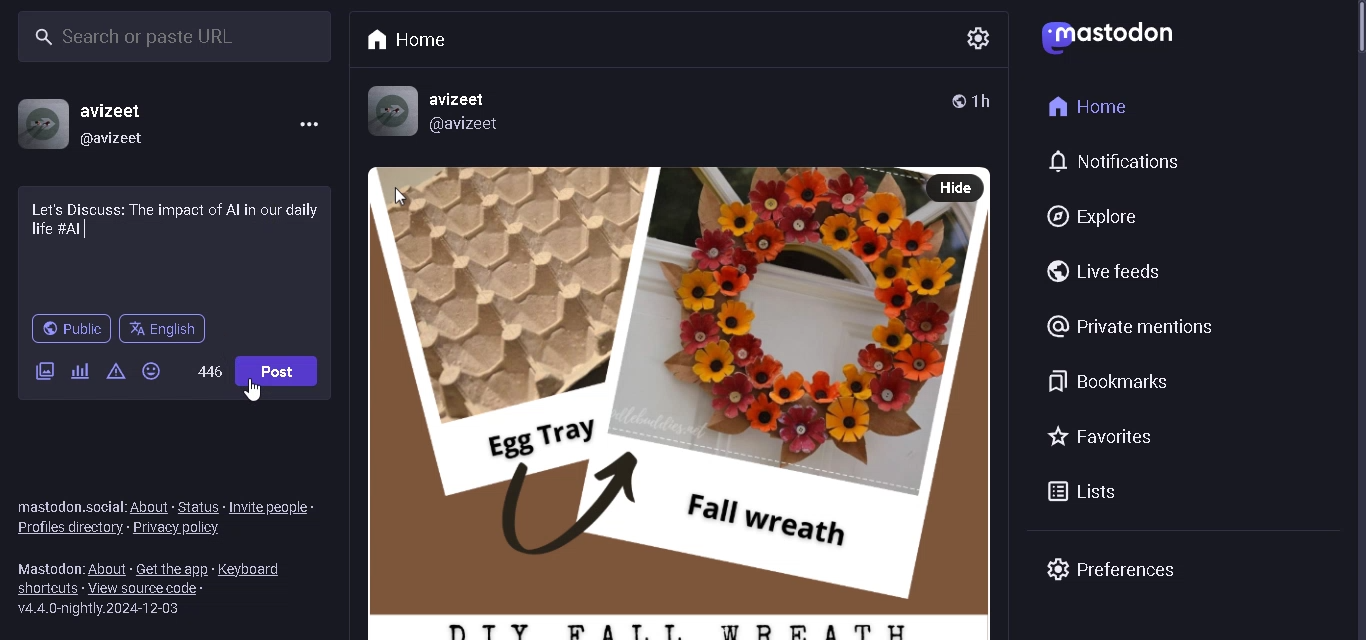  Describe the element at coordinates (151, 591) in the screenshot. I see `VIEW SOURCE CODE` at that location.